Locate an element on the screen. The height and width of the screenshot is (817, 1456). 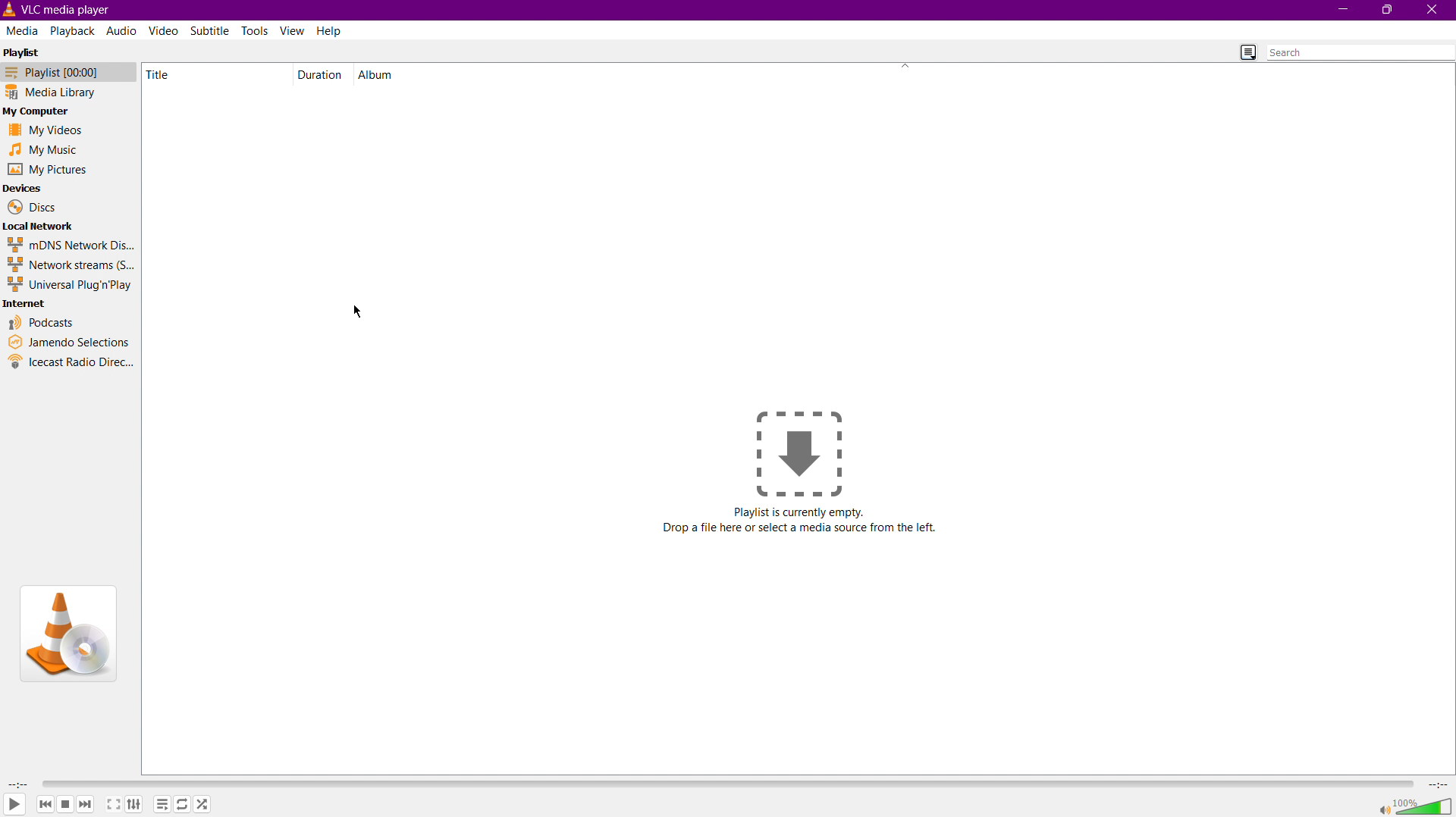
Internet  is located at coordinates (27, 304).